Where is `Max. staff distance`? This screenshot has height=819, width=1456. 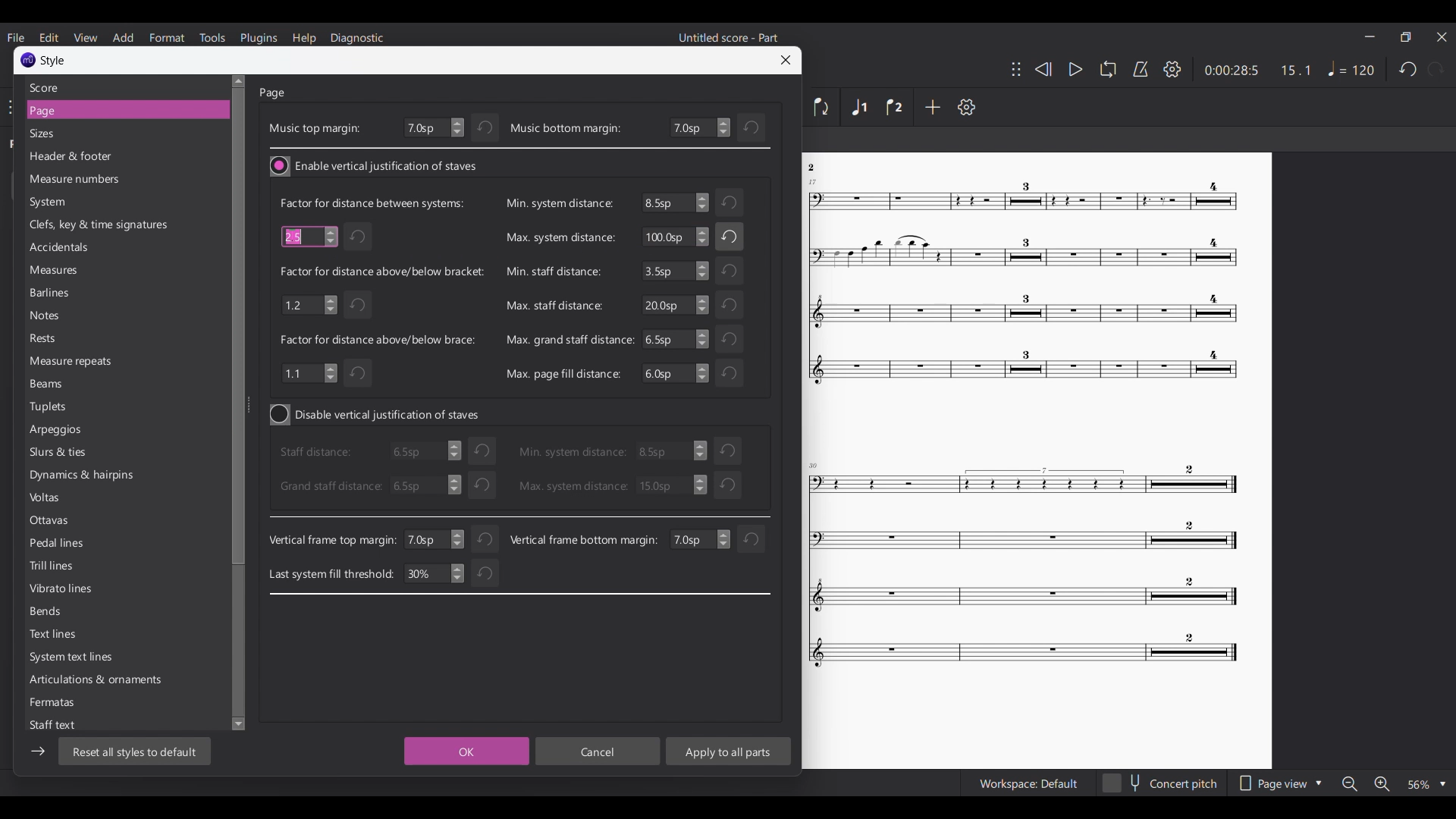 Max. staff distance is located at coordinates (552, 306).